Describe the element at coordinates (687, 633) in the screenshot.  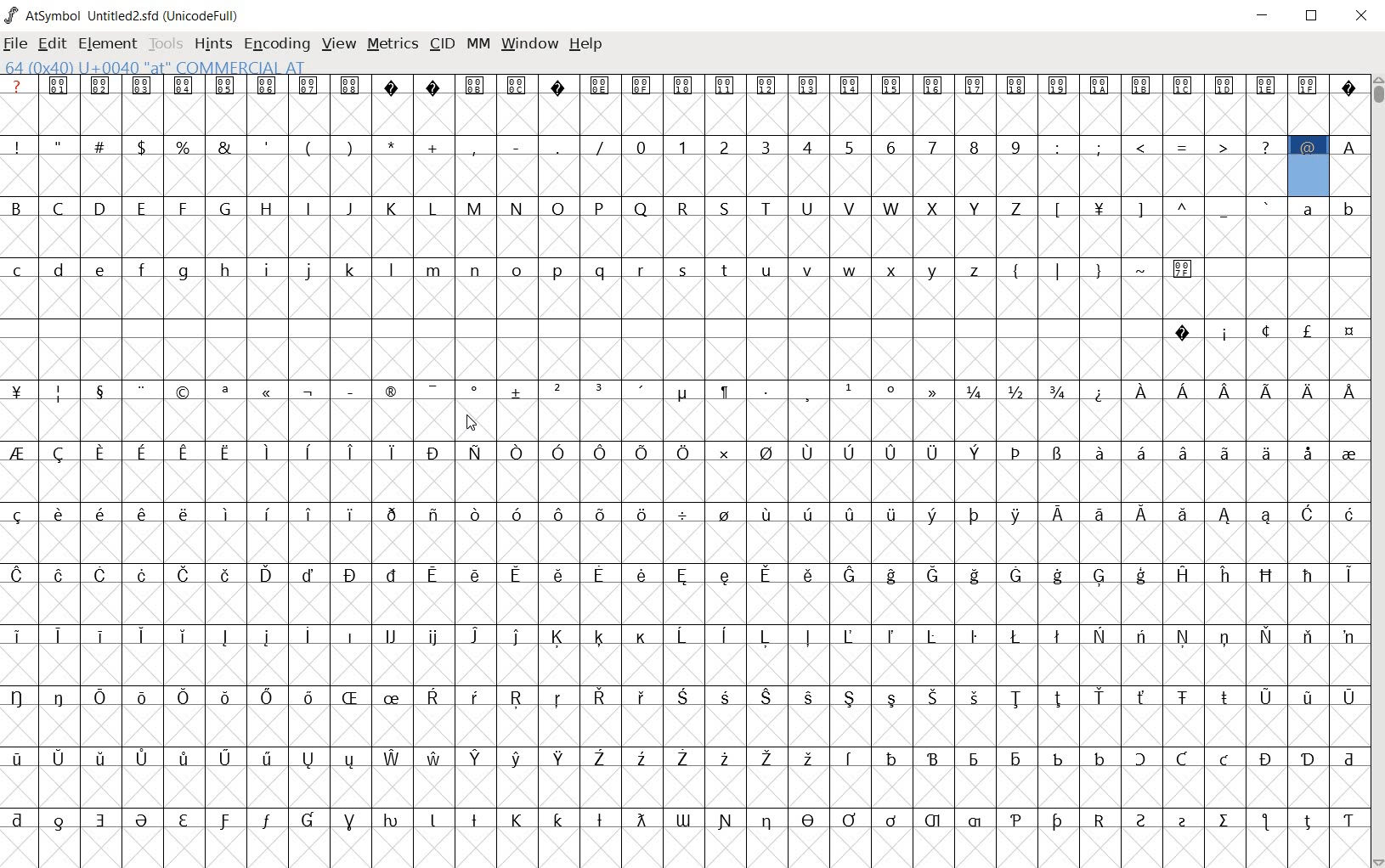
I see `special letters` at that location.